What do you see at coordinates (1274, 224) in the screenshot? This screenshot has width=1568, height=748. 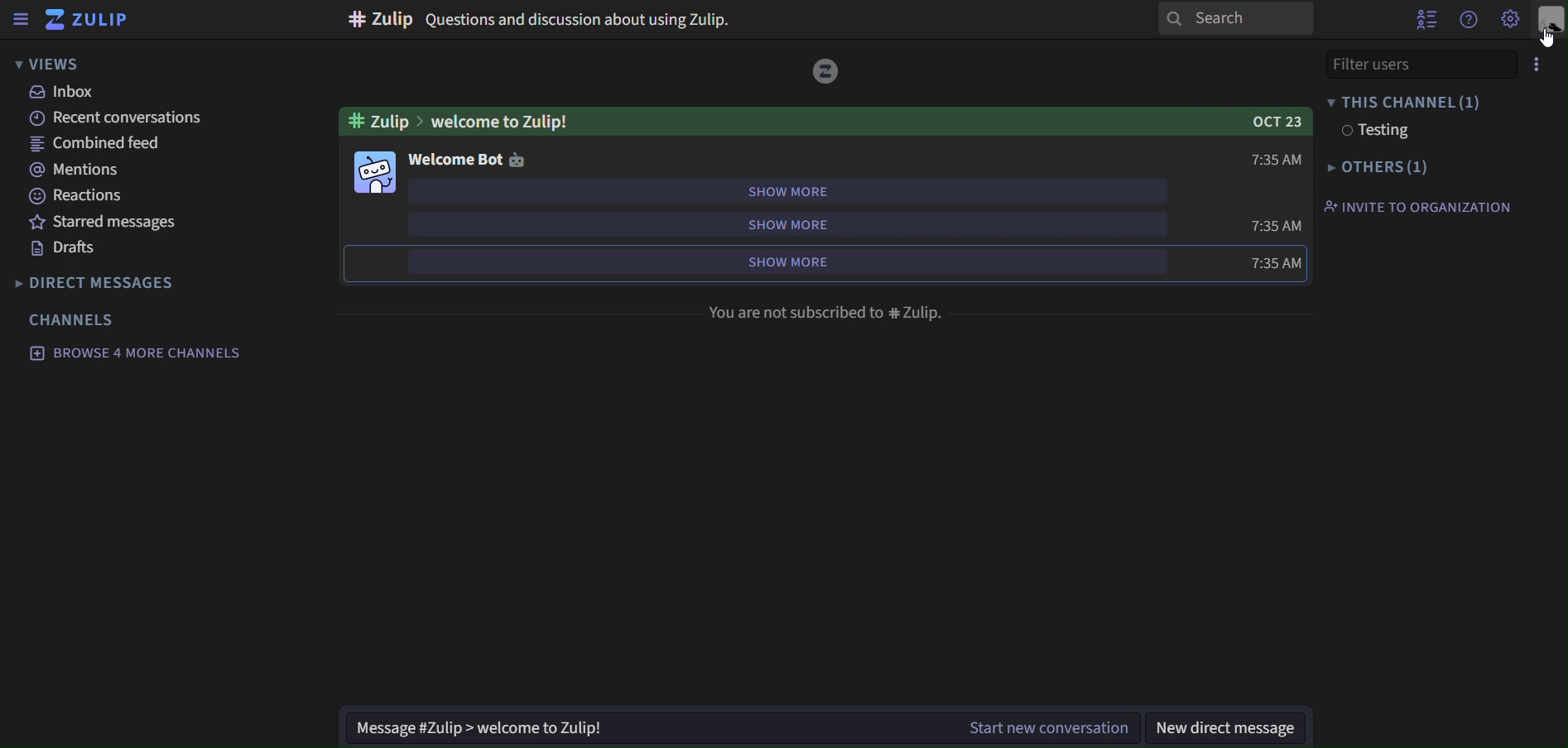 I see `time` at bounding box center [1274, 224].